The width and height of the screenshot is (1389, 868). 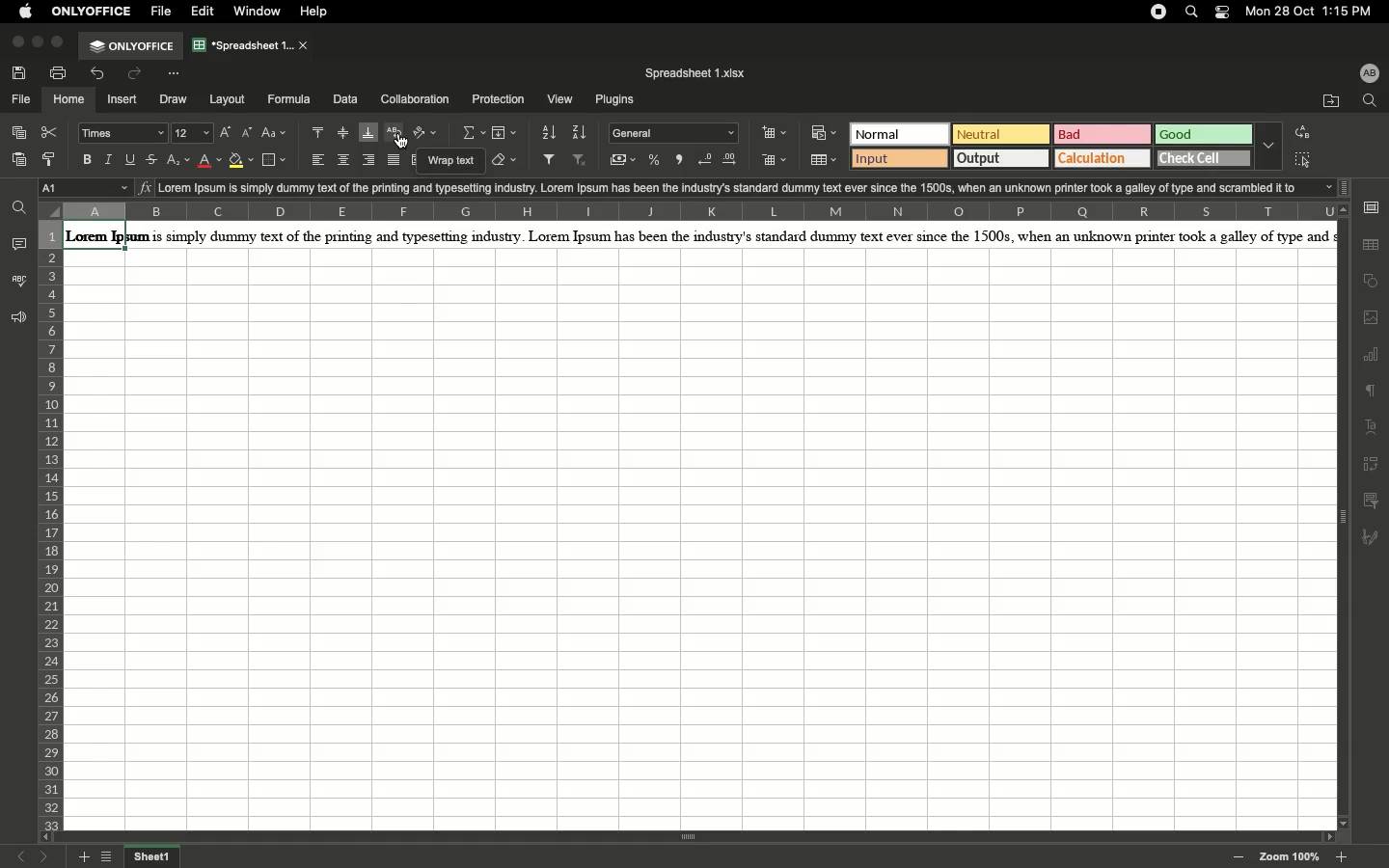 What do you see at coordinates (1159, 13) in the screenshot?
I see `Recording` at bounding box center [1159, 13].